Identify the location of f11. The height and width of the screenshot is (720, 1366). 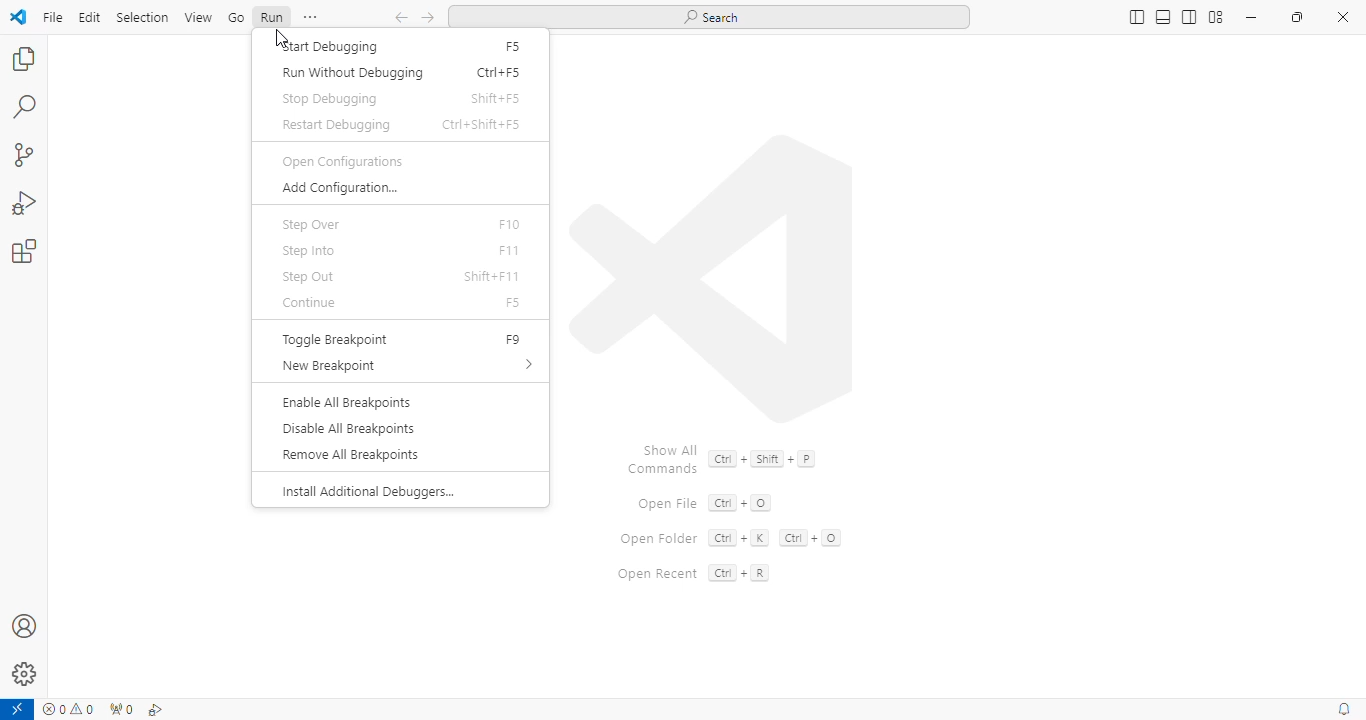
(508, 249).